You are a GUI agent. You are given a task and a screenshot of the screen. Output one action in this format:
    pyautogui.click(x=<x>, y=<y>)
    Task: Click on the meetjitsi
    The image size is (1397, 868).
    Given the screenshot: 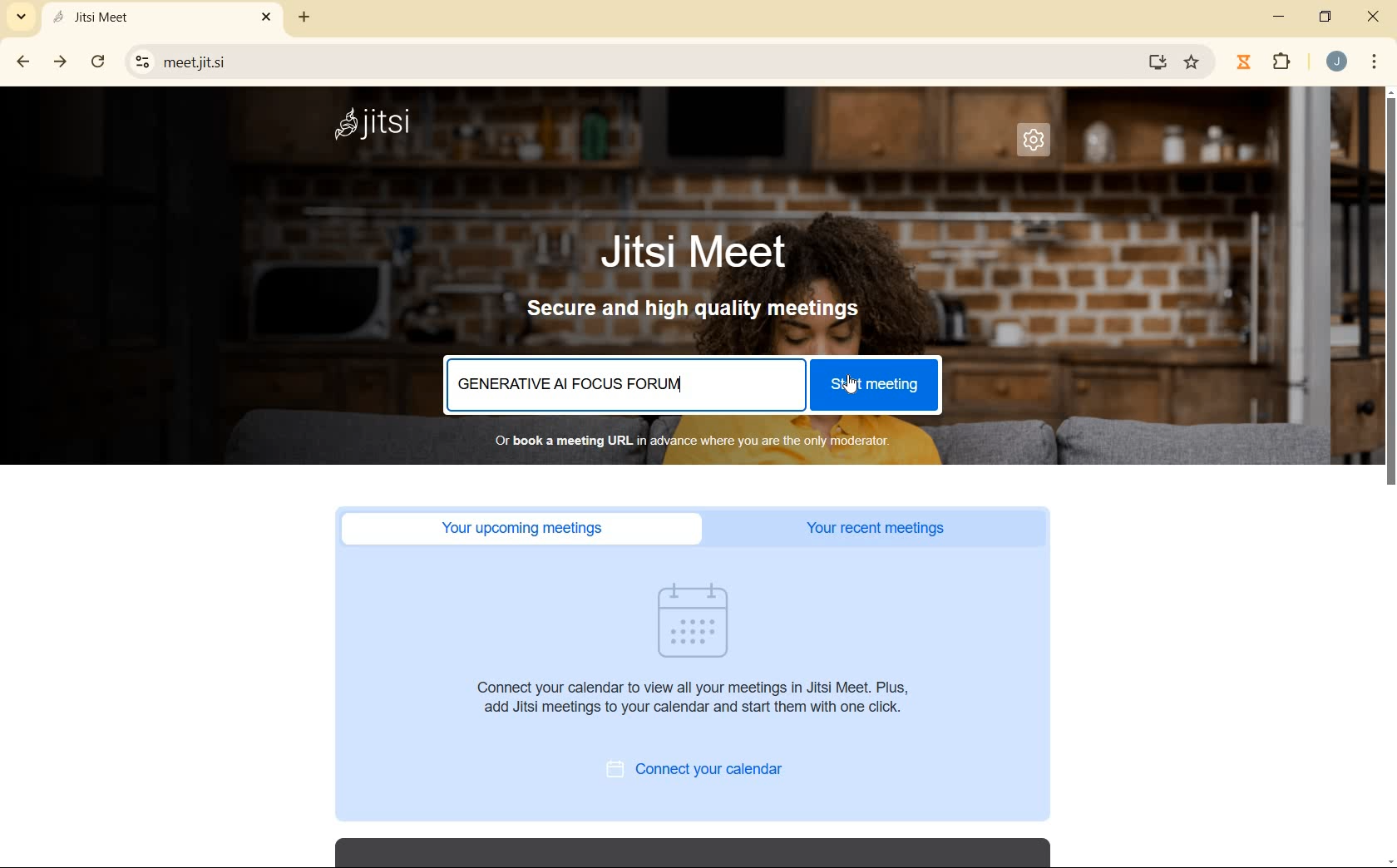 What is the action you would take?
    pyautogui.click(x=639, y=62)
    